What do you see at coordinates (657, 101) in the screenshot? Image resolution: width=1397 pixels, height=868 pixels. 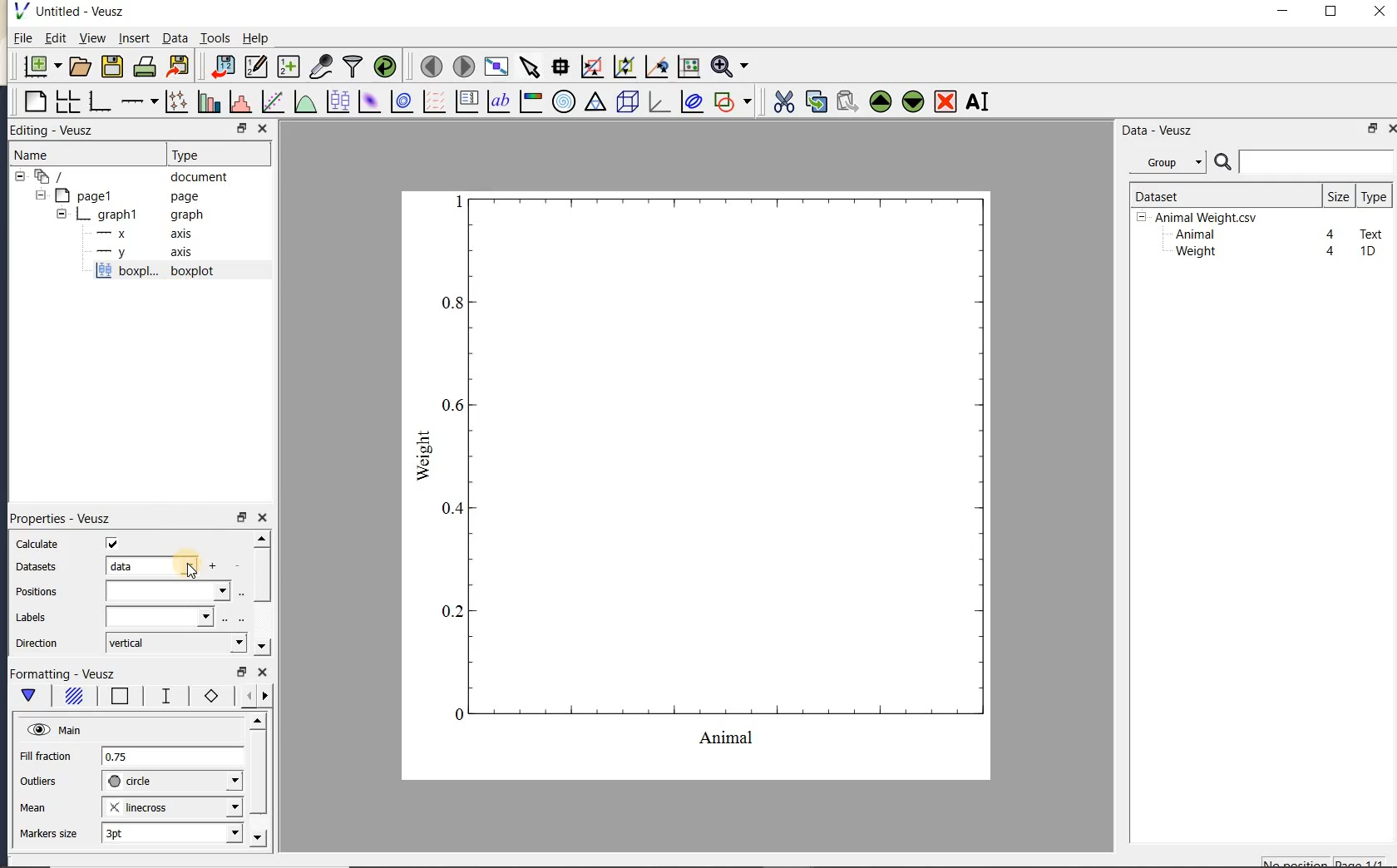 I see `3d graph` at bounding box center [657, 101].